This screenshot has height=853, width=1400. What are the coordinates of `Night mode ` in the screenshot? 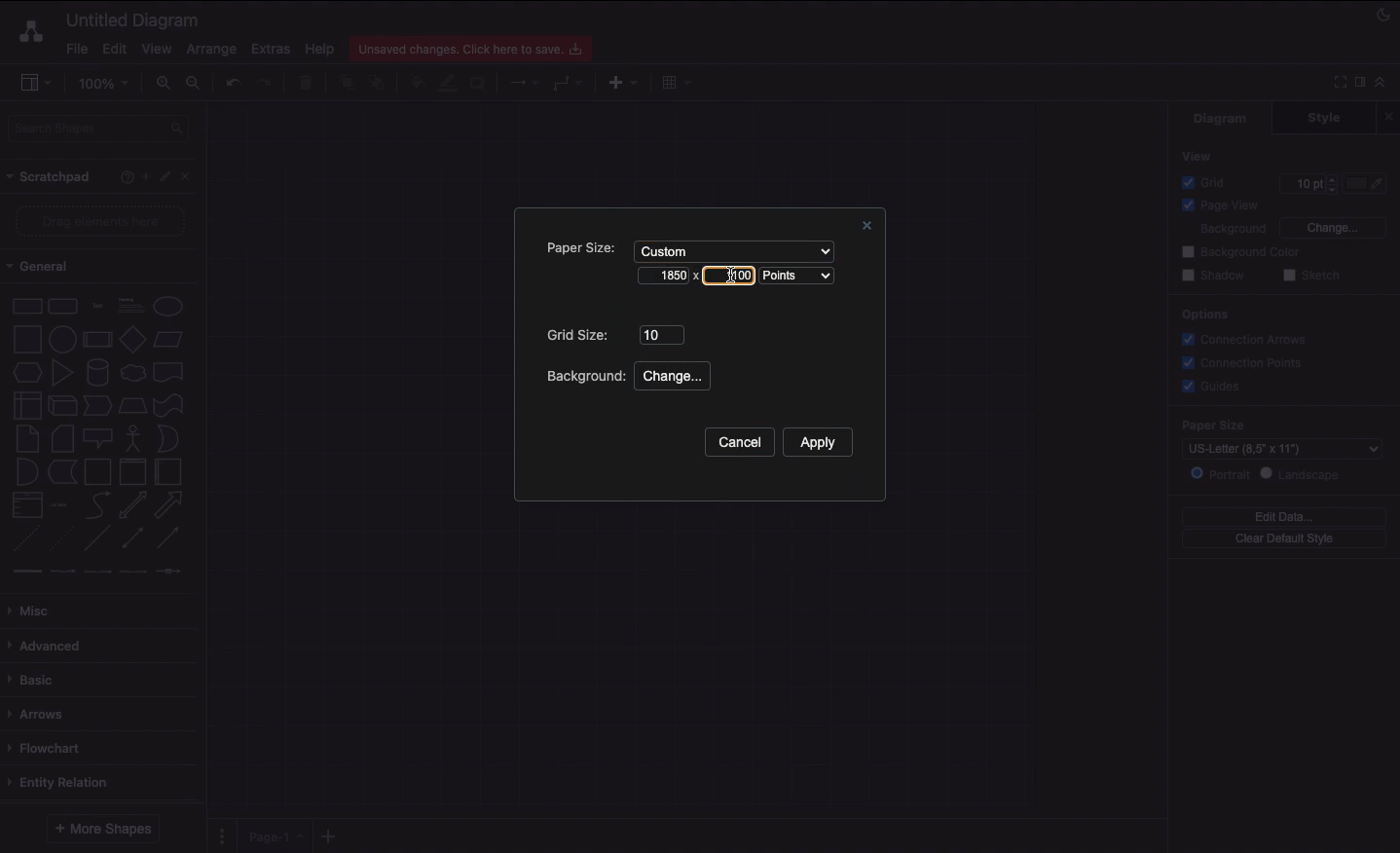 It's located at (1384, 13).